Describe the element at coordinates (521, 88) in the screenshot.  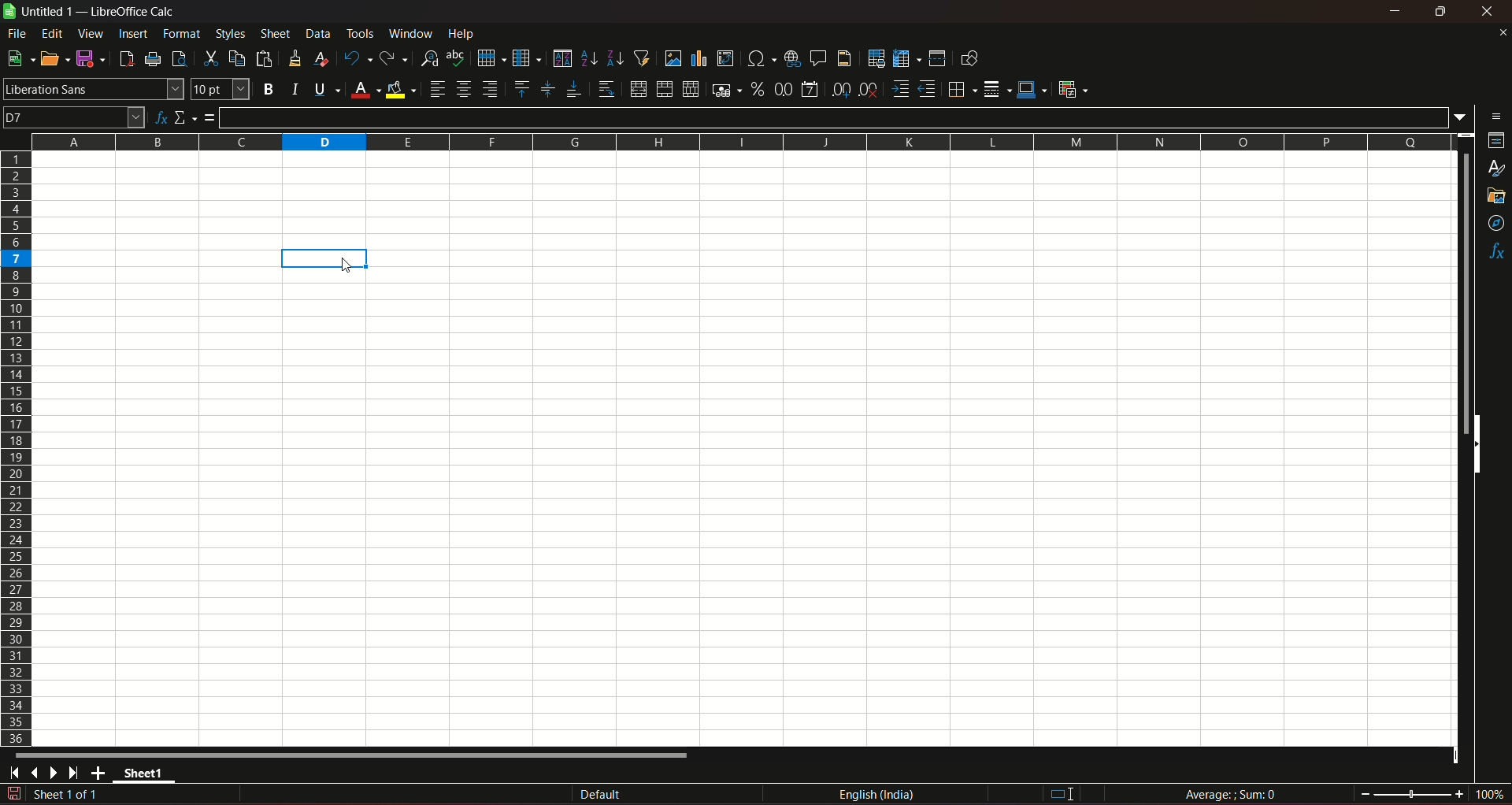
I see `align top` at that location.